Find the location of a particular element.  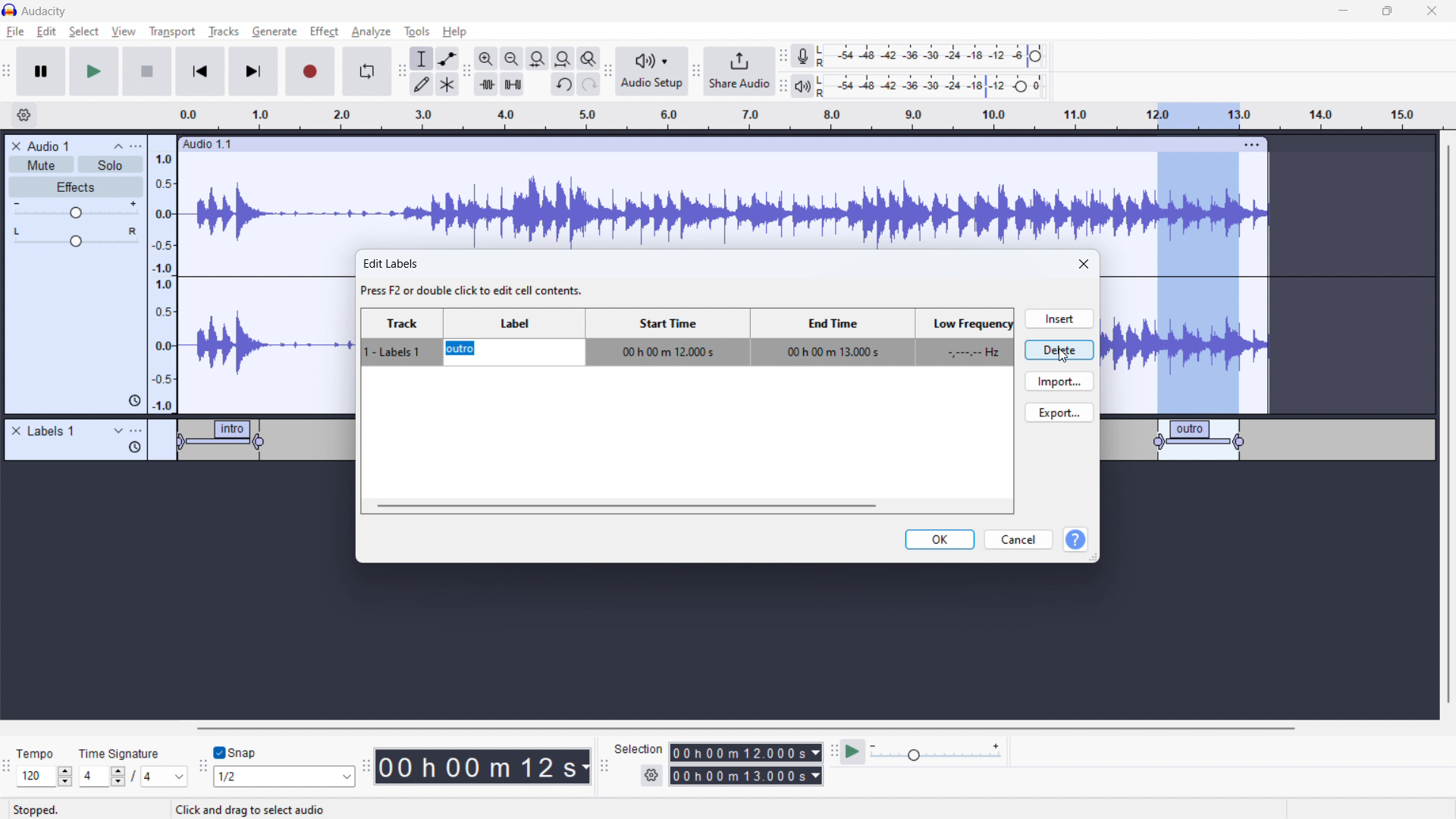

select snapping is located at coordinates (284, 776).